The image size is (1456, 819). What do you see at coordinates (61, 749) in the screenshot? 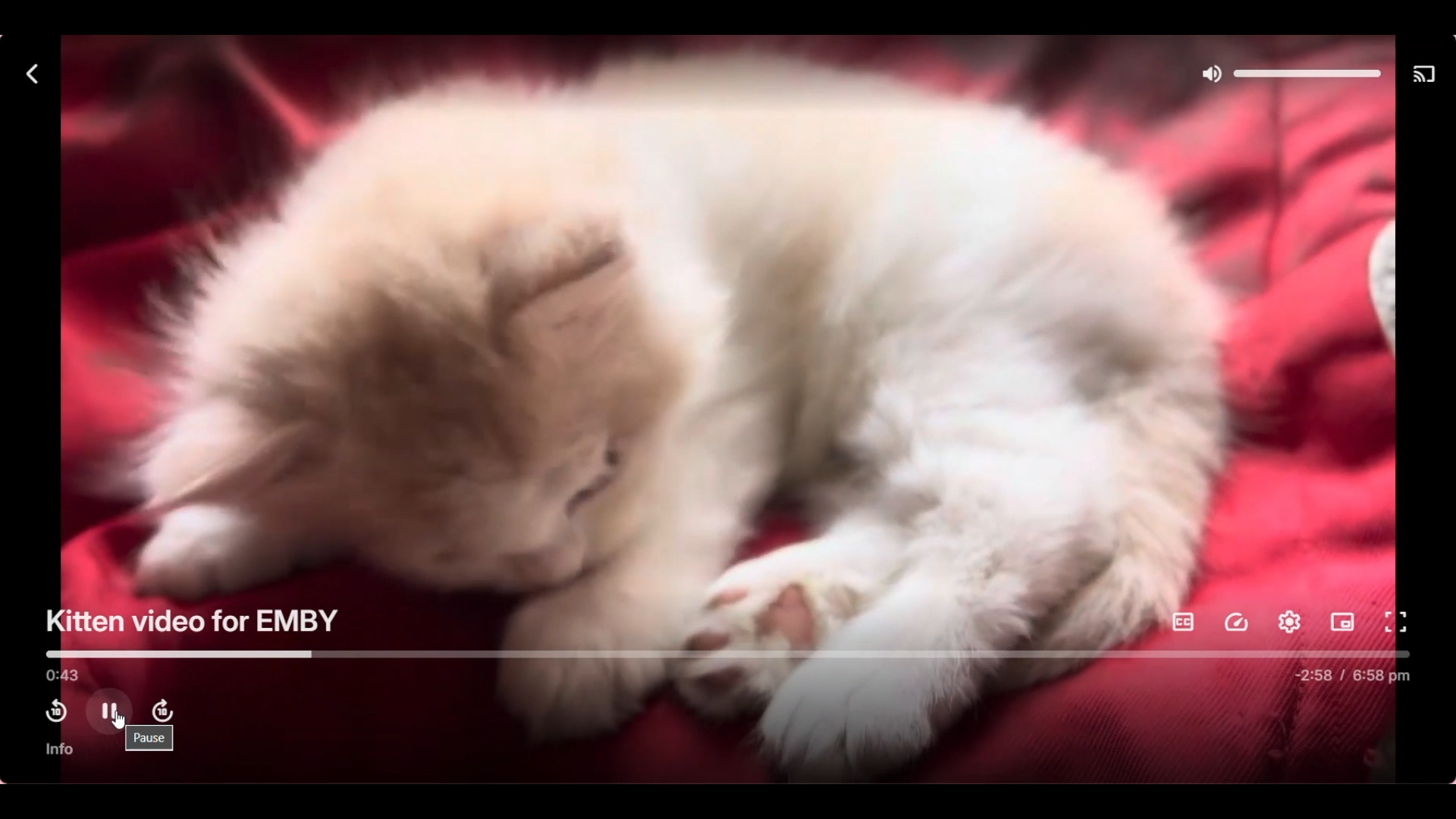
I see `info` at bounding box center [61, 749].